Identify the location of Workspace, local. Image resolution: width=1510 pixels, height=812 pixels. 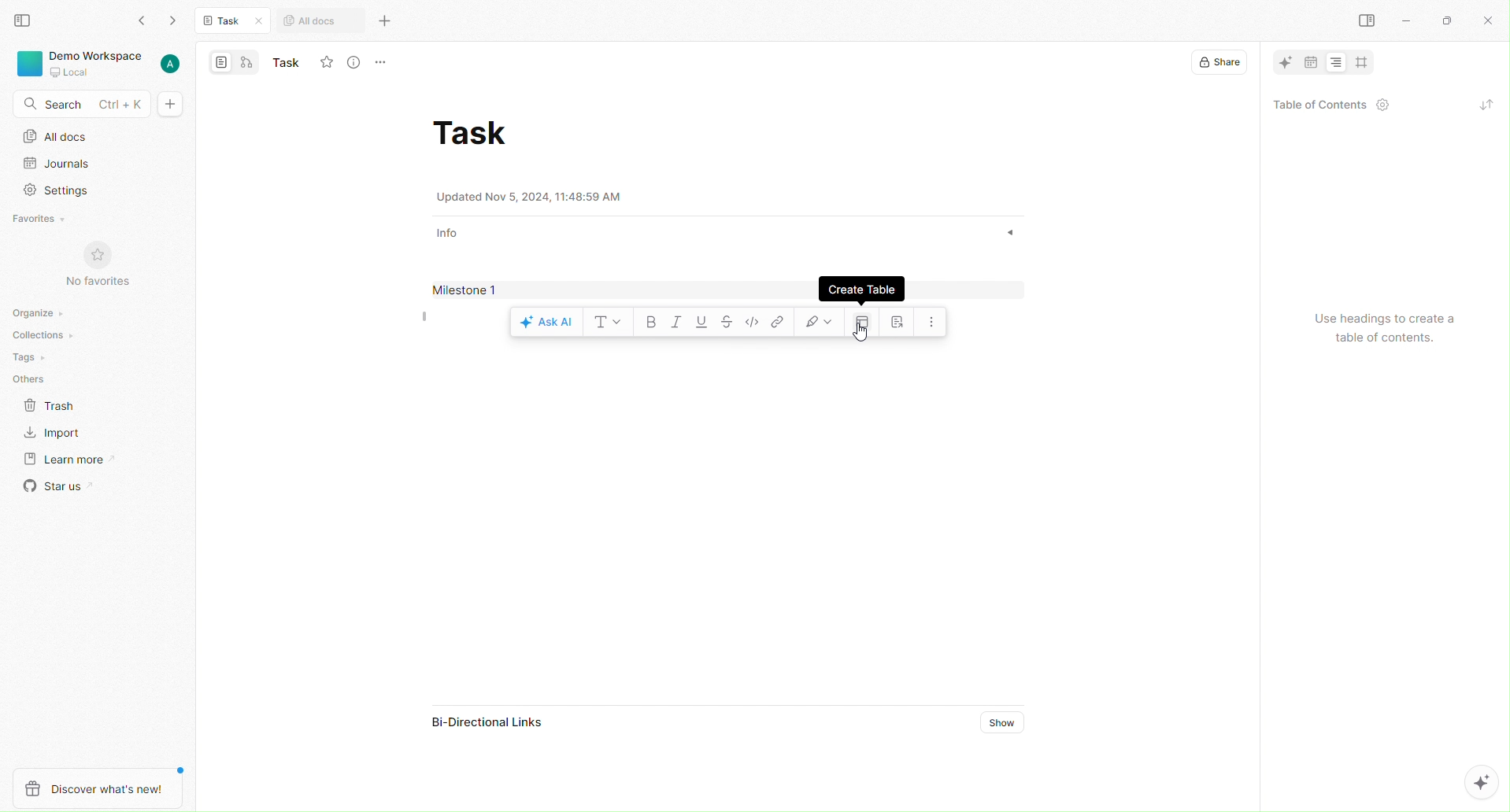
(82, 64).